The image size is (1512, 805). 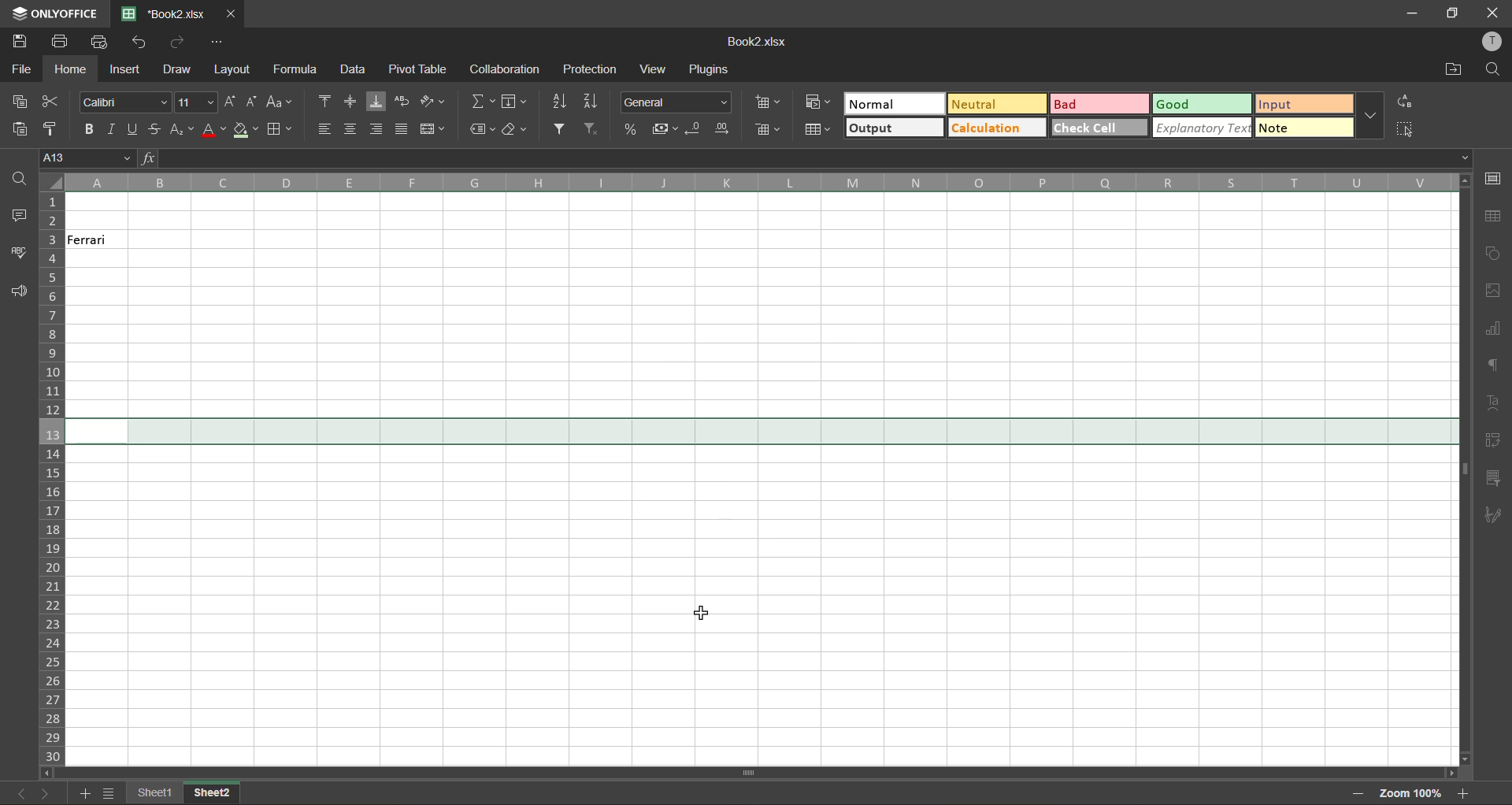 What do you see at coordinates (566, 102) in the screenshot?
I see `sort ascending` at bounding box center [566, 102].